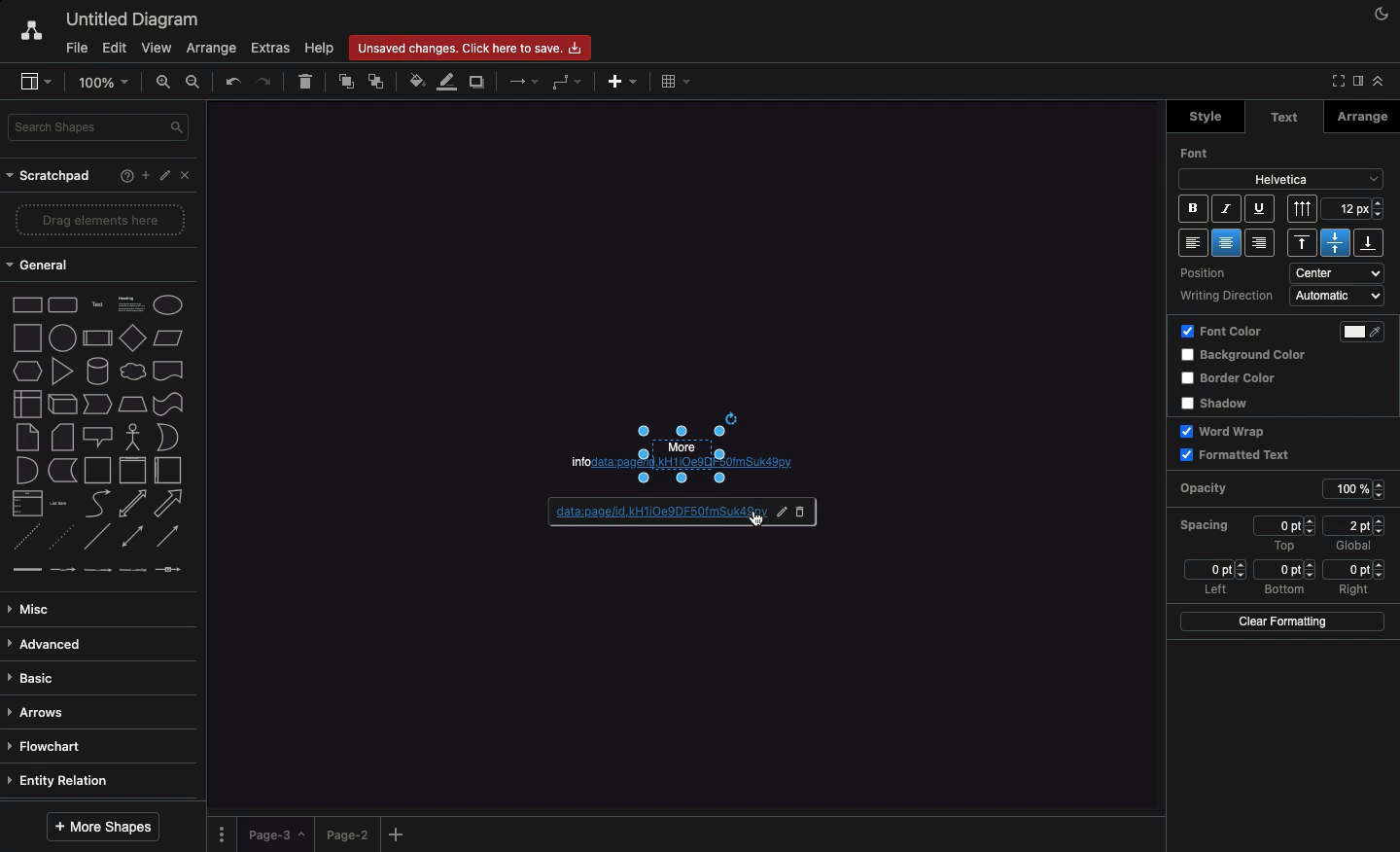 The height and width of the screenshot is (852, 1400). What do you see at coordinates (1221, 403) in the screenshot?
I see `Shadow` at bounding box center [1221, 403].